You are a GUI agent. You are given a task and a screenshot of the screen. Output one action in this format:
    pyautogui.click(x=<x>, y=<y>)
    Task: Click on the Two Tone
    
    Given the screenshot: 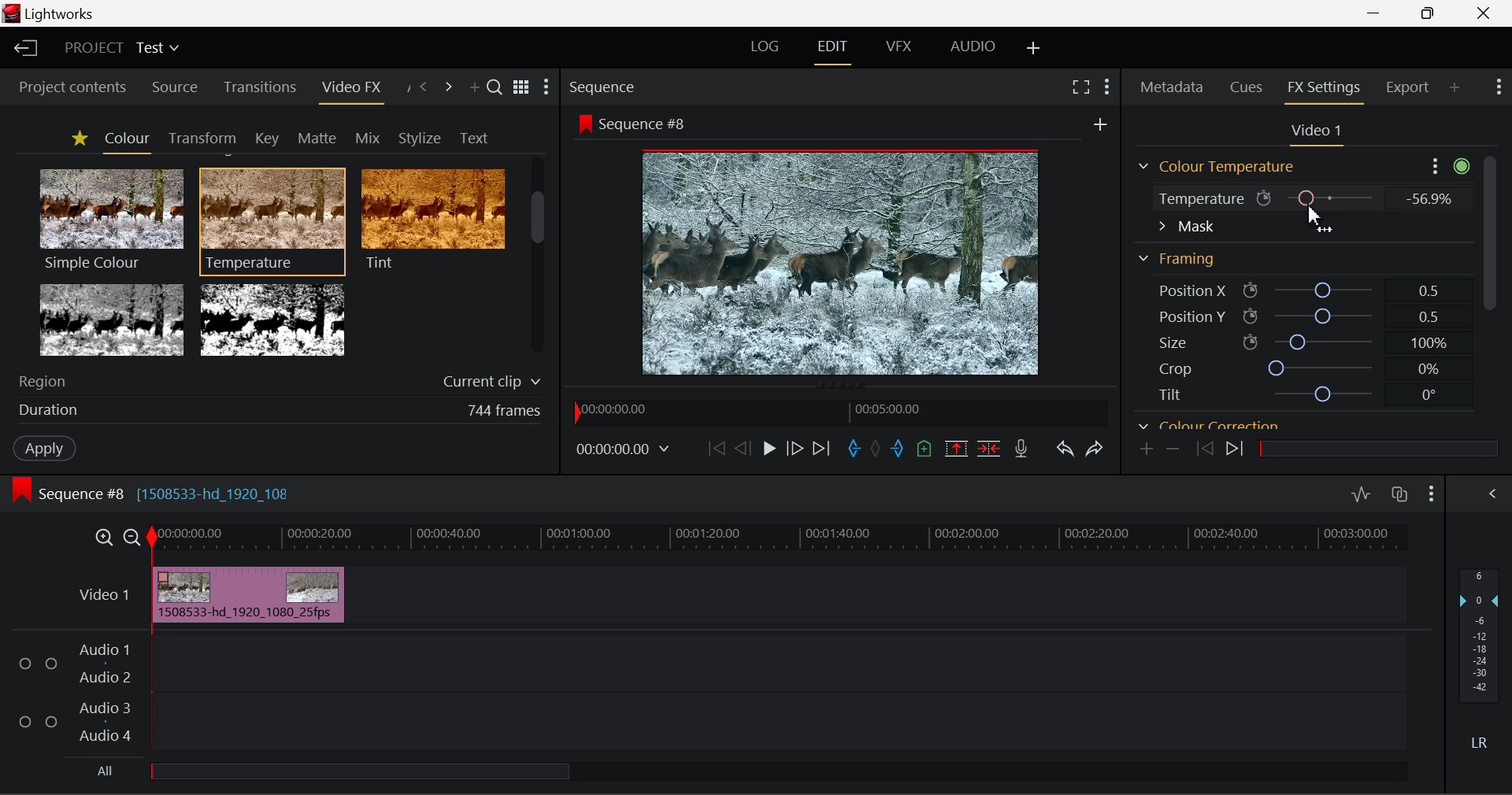 What is the action you would take?
    pyautogui.click(x=270, y=319)
    